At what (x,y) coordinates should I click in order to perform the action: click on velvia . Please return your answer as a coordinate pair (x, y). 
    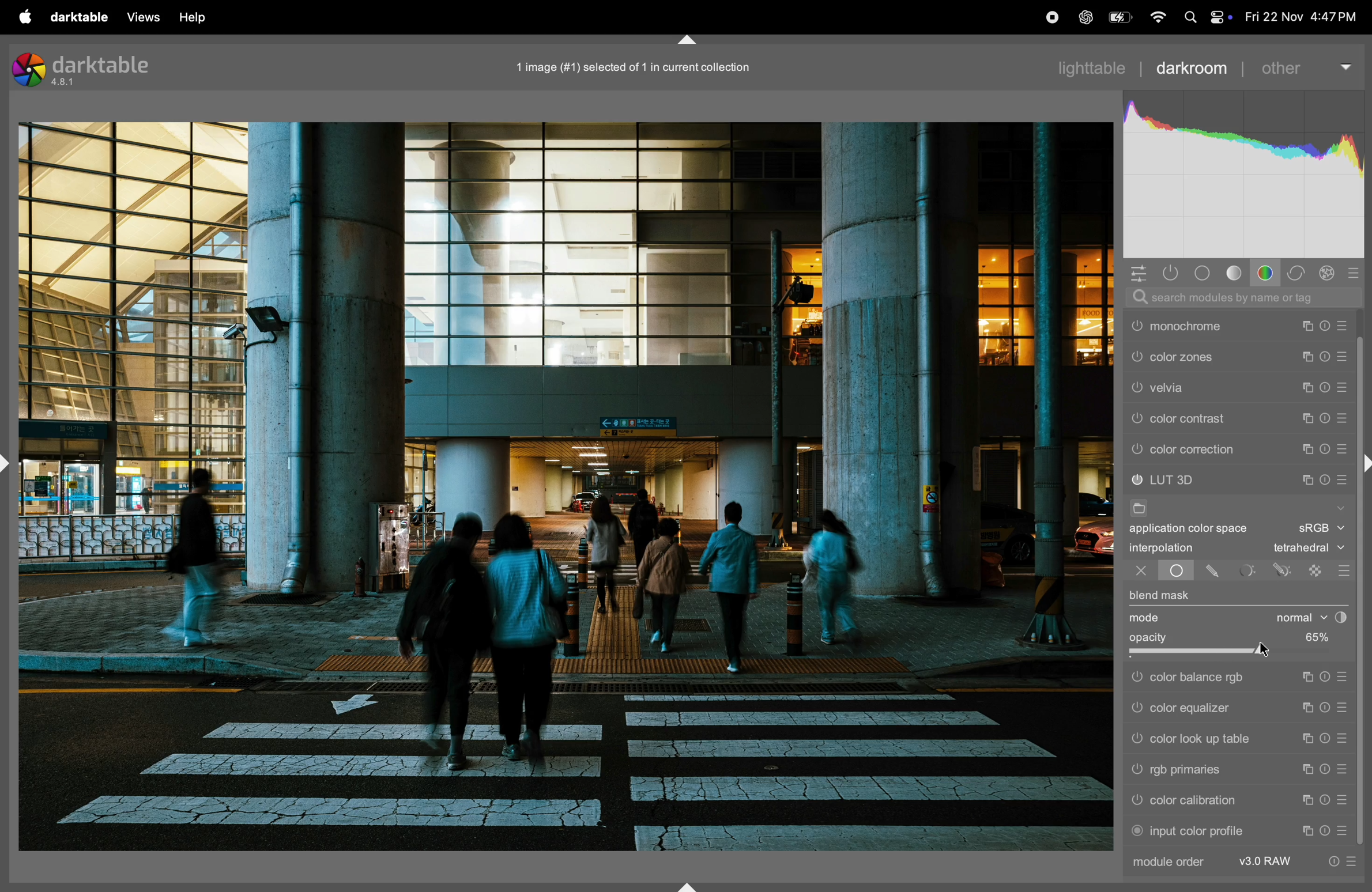
    Looking at the image, I should click on (1222, 415).